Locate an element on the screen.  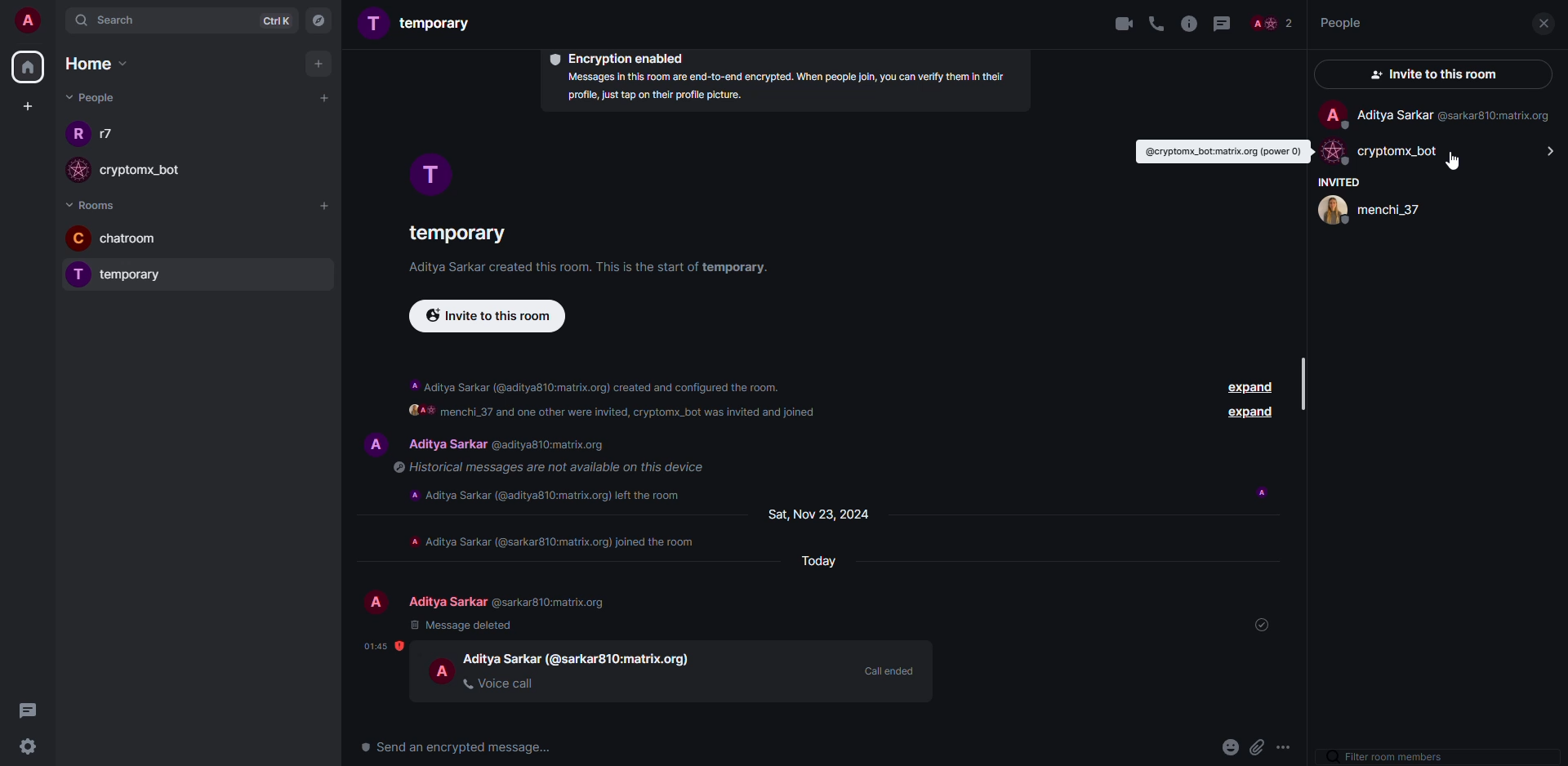
add is located at coordinates (326, 208).